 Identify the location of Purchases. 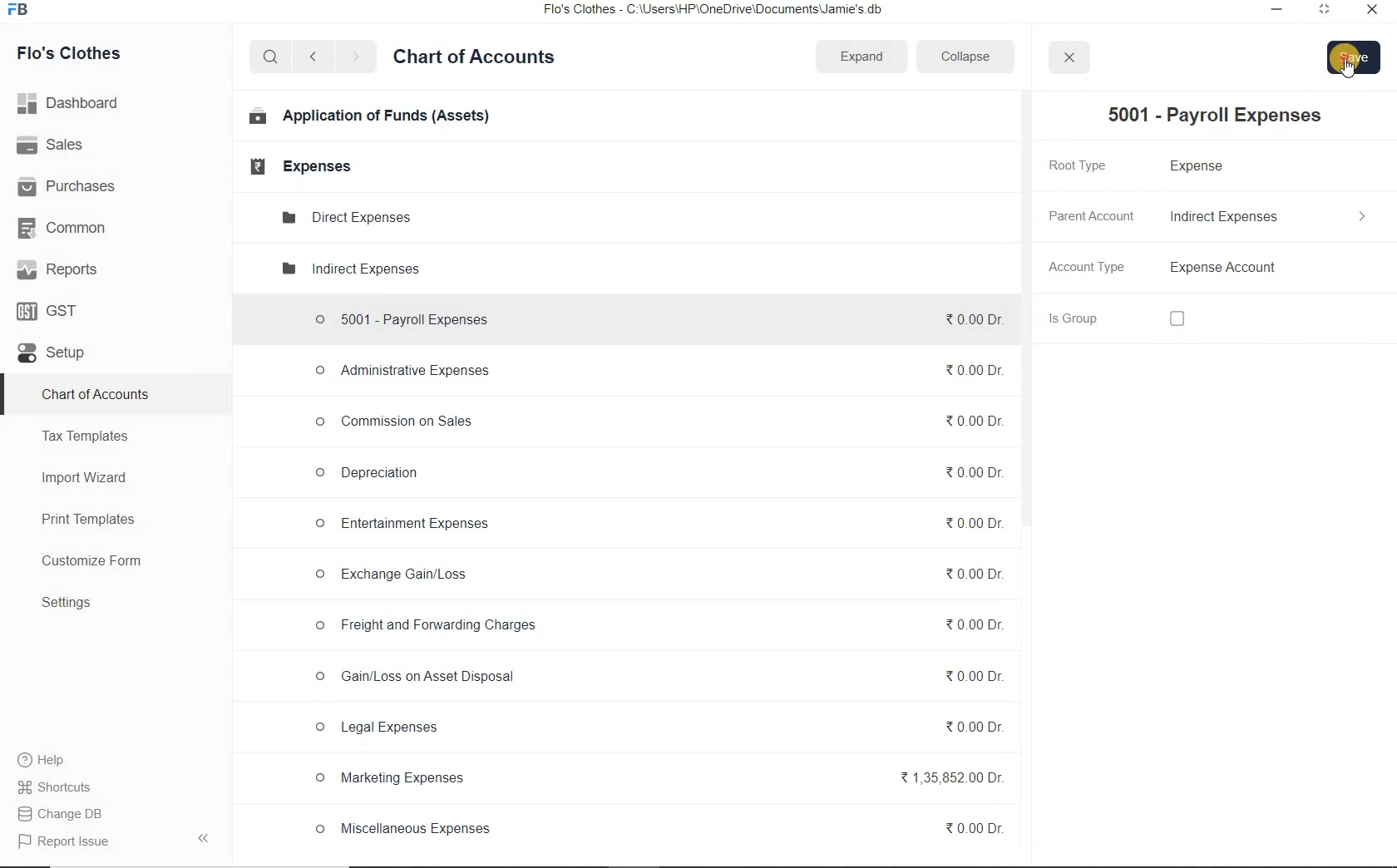
(69, 187).